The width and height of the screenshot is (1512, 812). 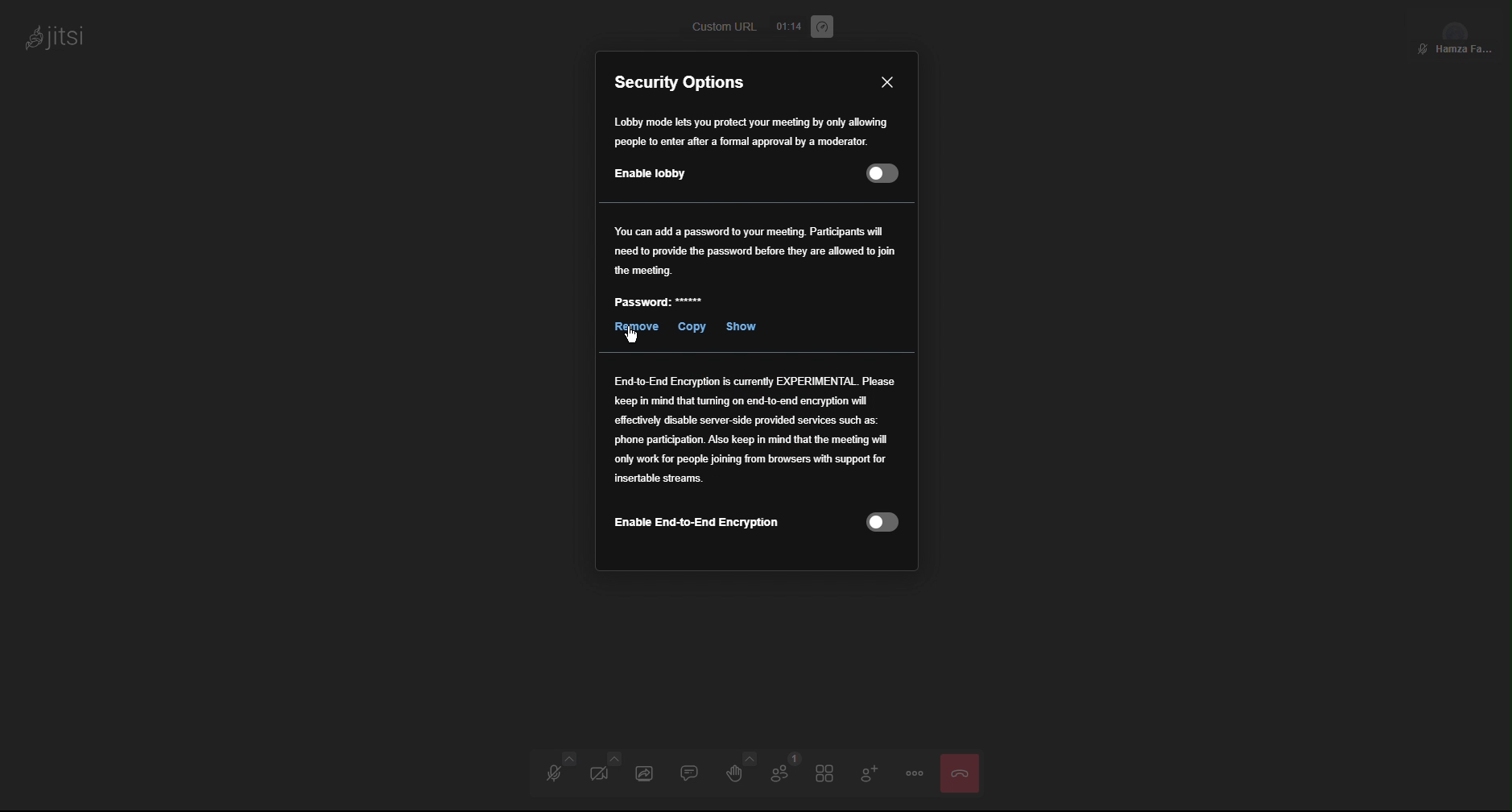 I want to click on Copy , so click(x=695, y=329).